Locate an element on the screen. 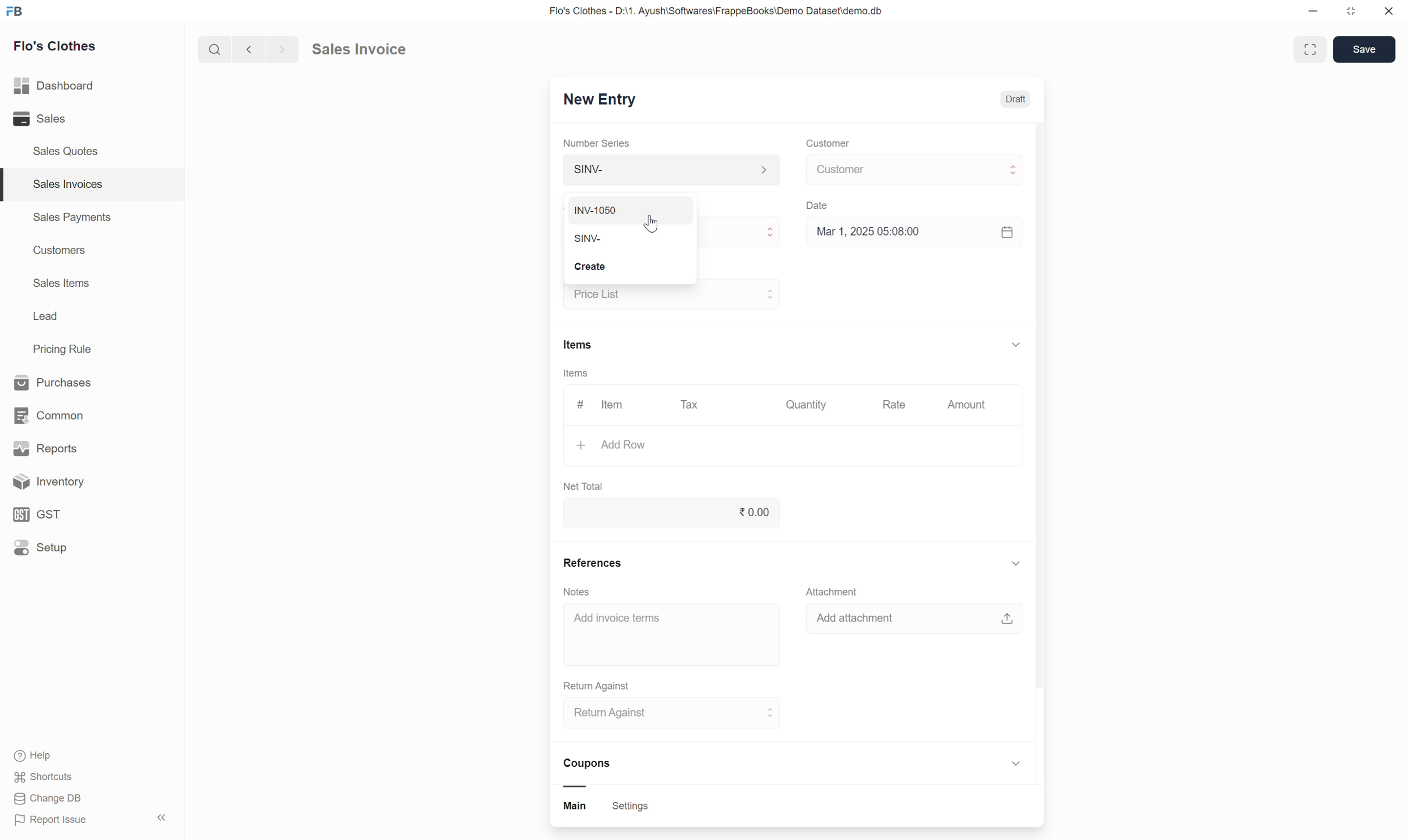  CURSOR is located at coordinates (651, 228).